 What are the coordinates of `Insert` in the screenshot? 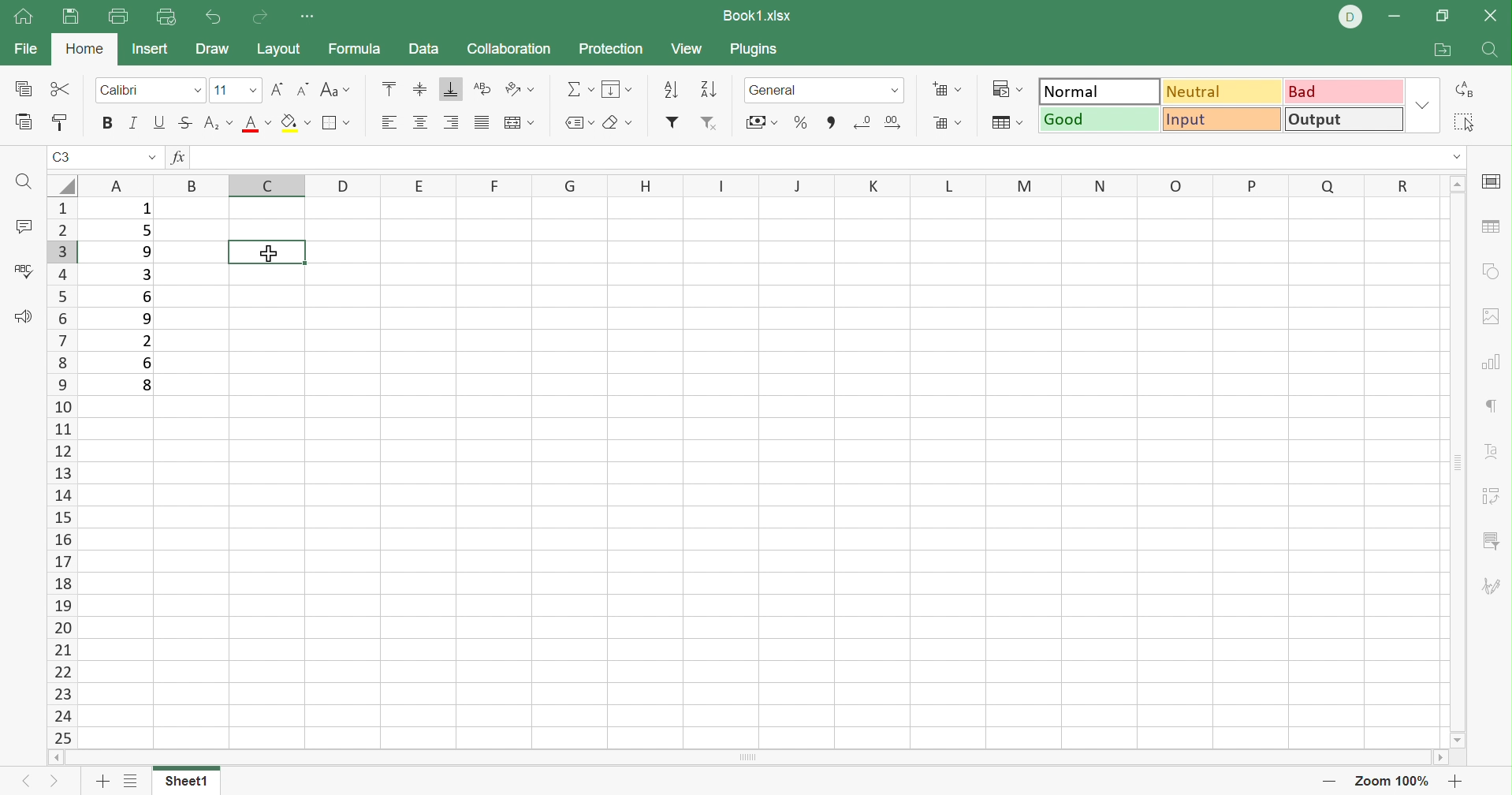 It's located at (150, 50).